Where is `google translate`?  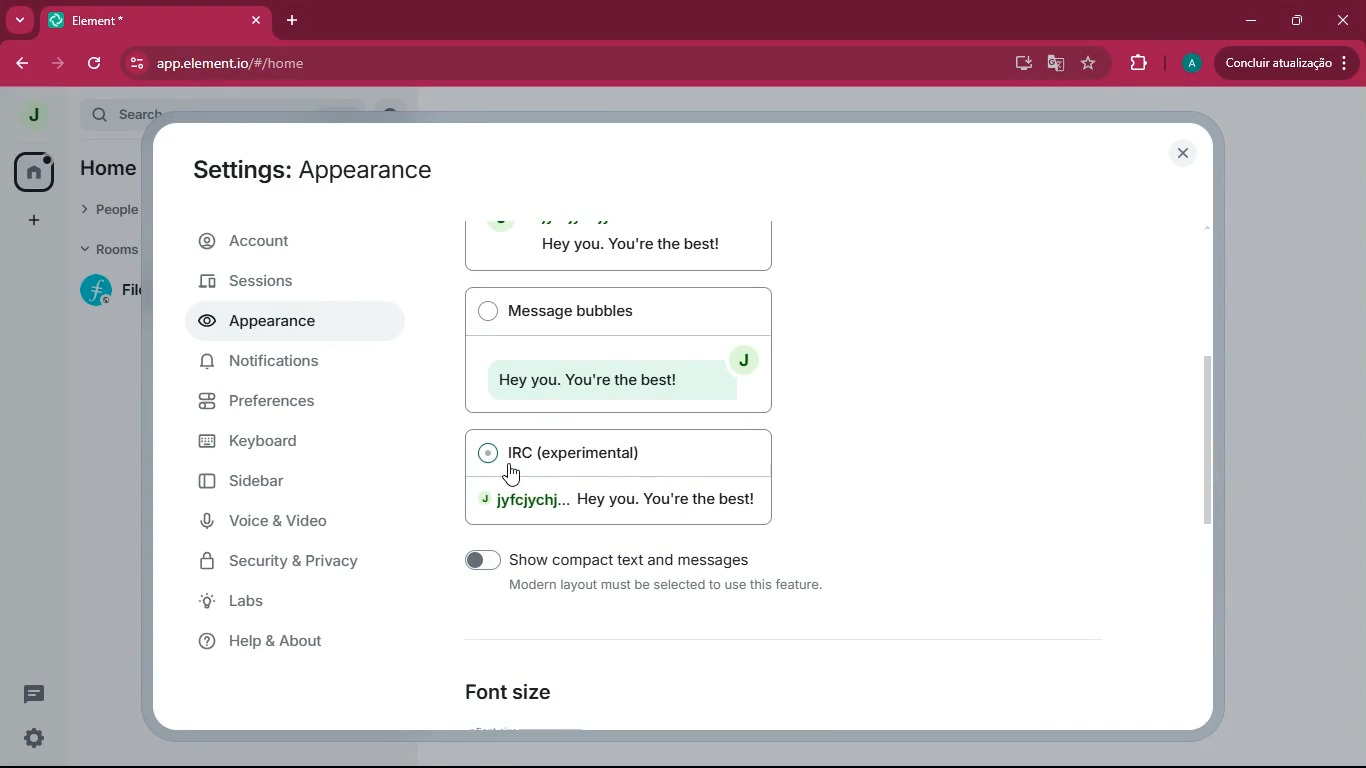 google translate is located at coordinates (1057, 65).